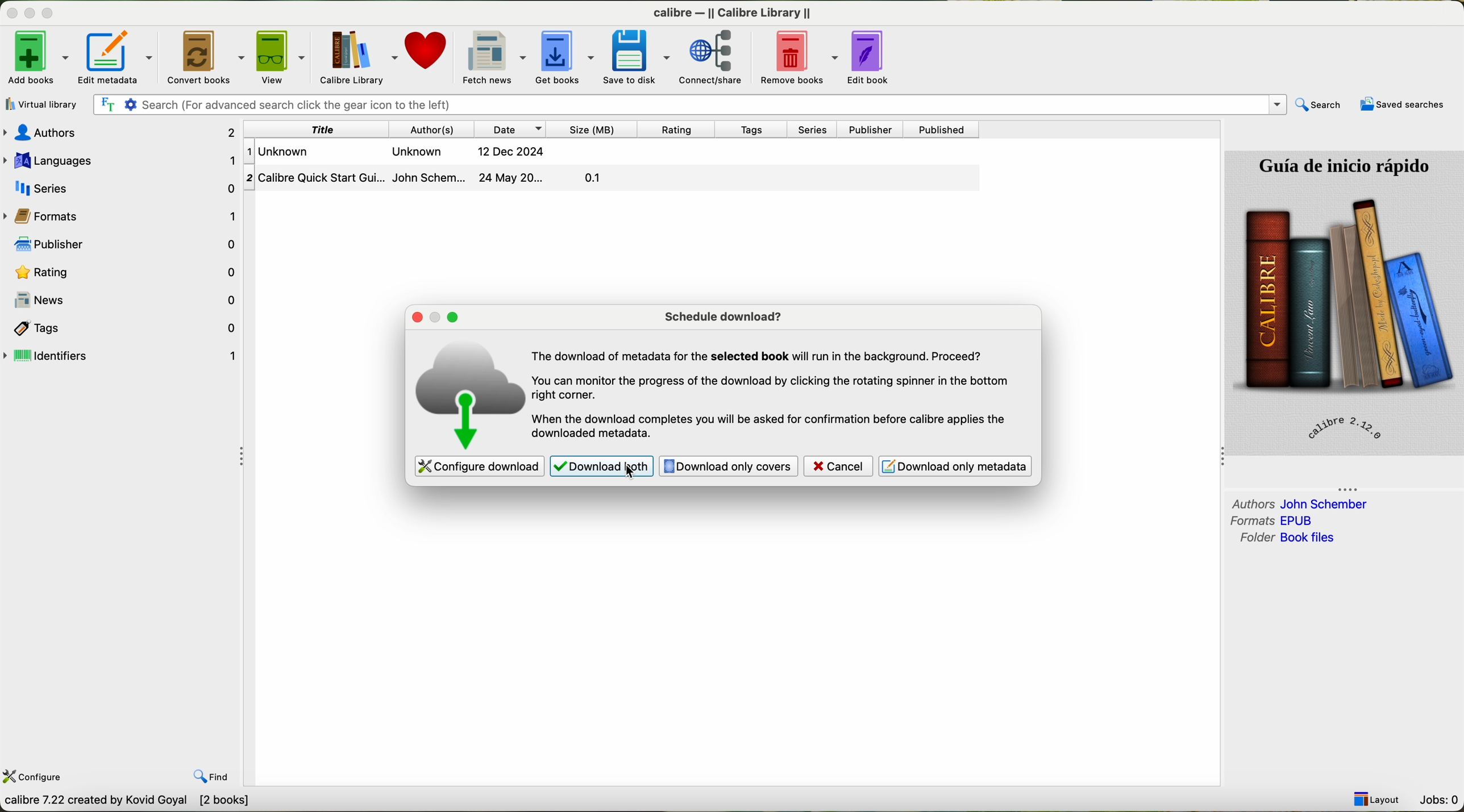  I want to click on Jobs: 0, so click(1440, 801).